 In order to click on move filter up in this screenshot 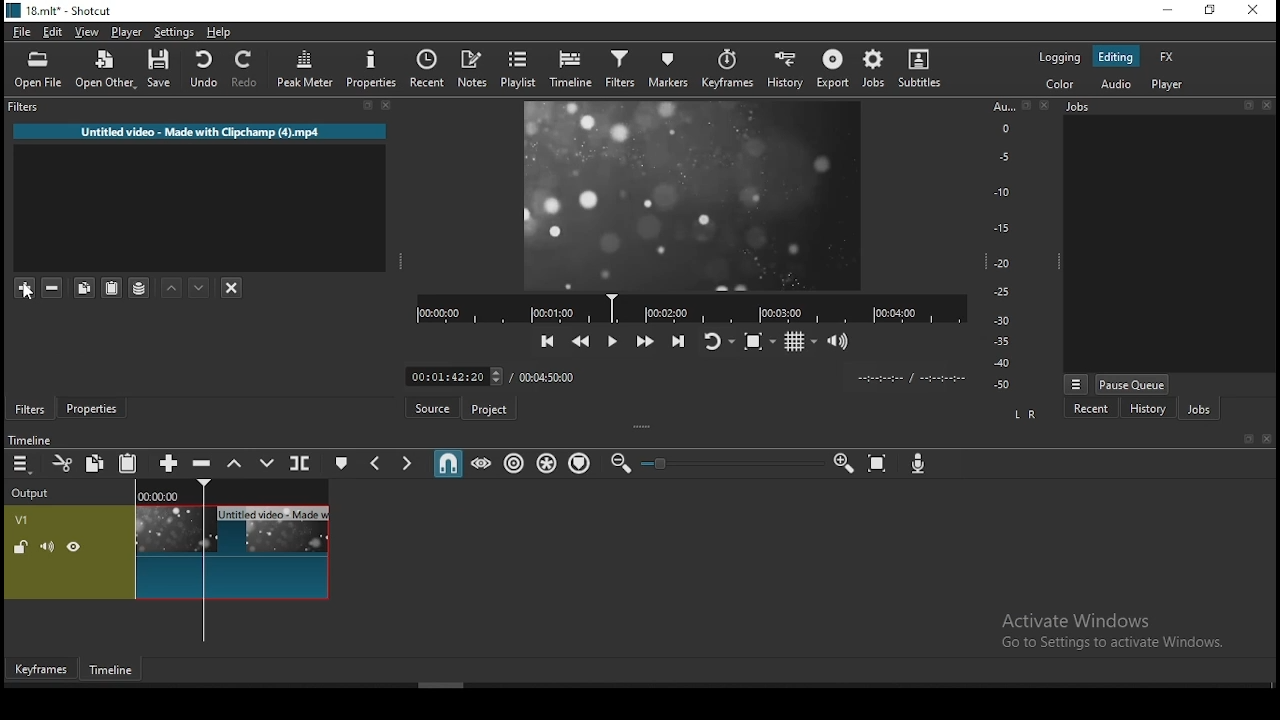, I will do `click(172, 284)`.